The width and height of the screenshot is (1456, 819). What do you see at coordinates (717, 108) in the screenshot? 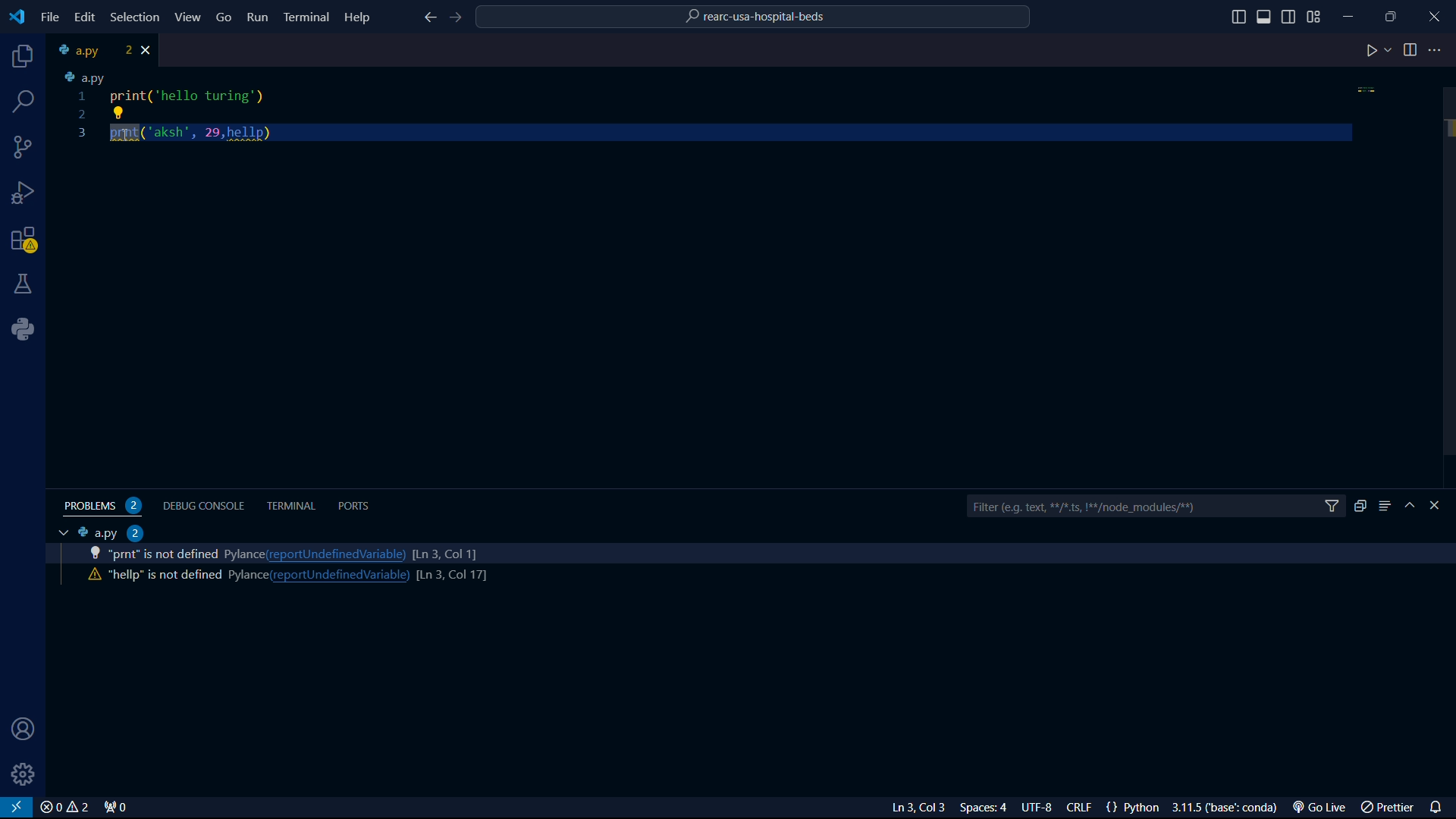
I see `code python` at bounding box center [717, 108].